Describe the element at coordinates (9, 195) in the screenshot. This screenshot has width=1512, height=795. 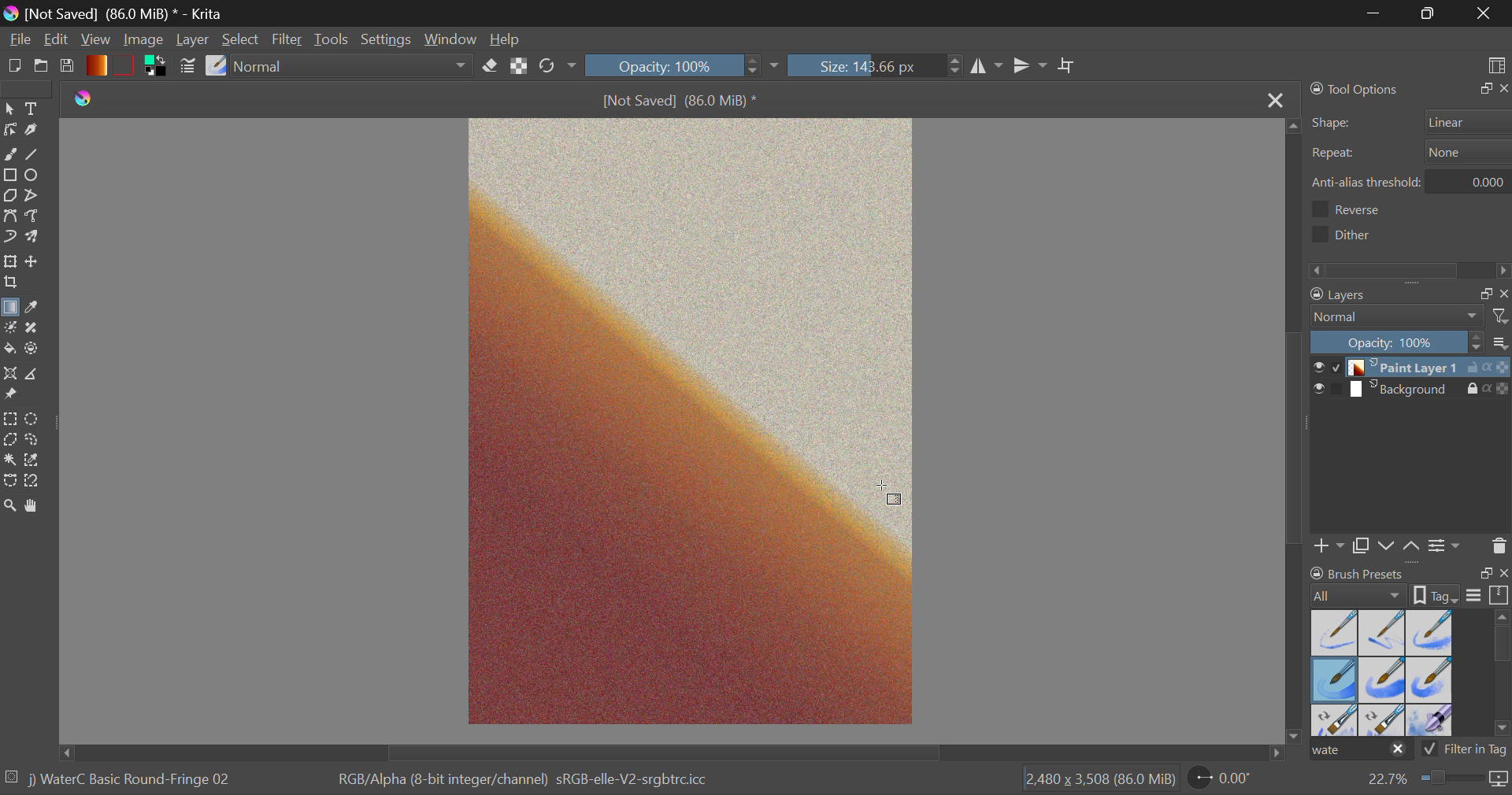
I see `Polygon` at that location.